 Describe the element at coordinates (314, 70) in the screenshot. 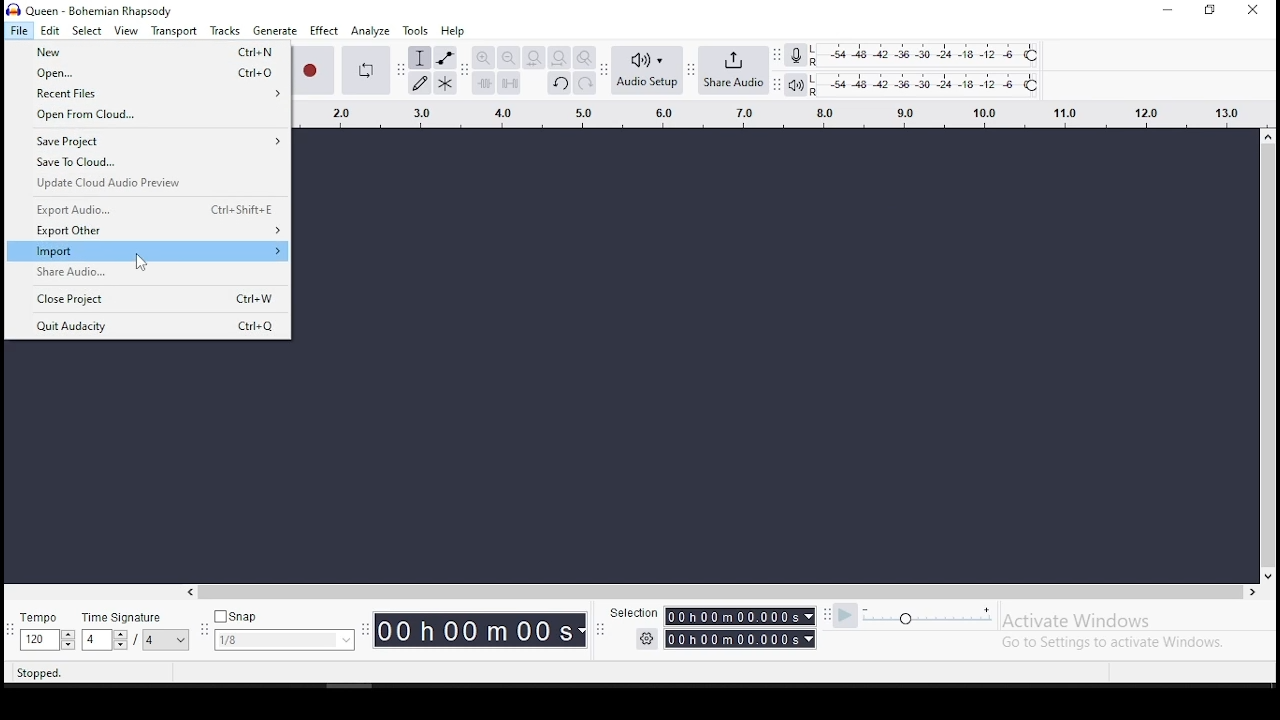

I see `record` at that location.